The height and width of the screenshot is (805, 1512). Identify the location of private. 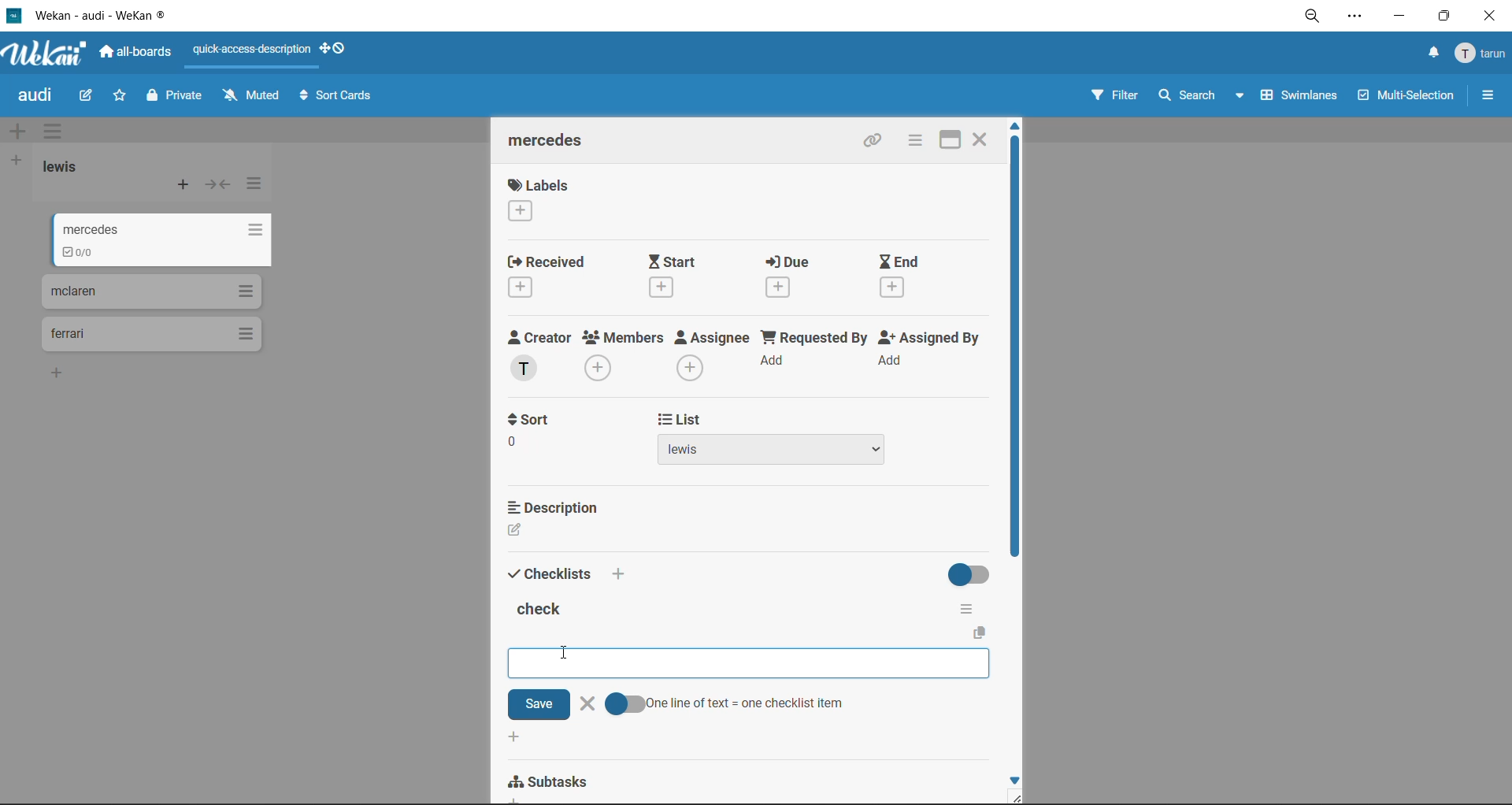
(176, 98).